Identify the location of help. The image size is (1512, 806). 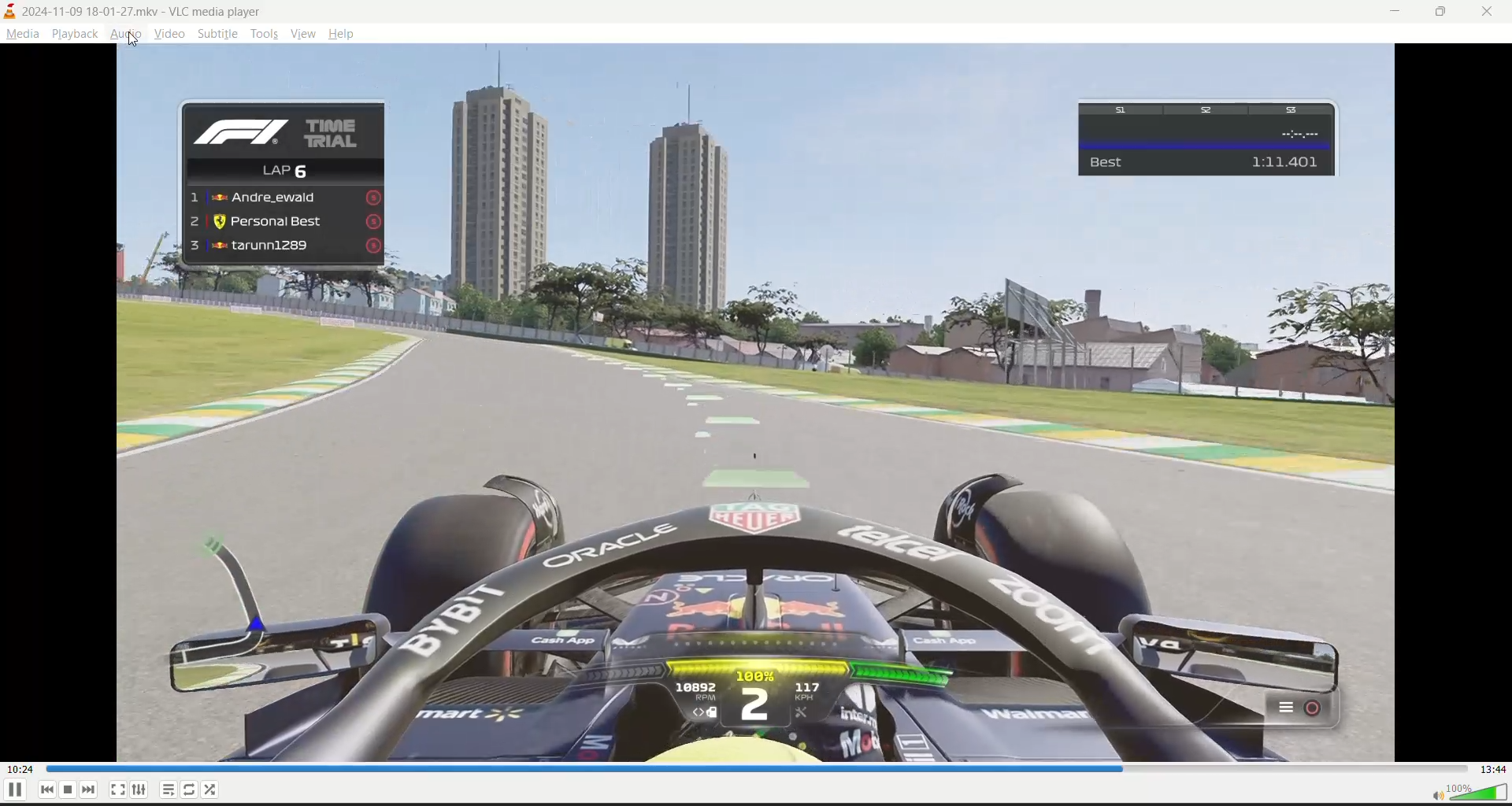
(343, 33).